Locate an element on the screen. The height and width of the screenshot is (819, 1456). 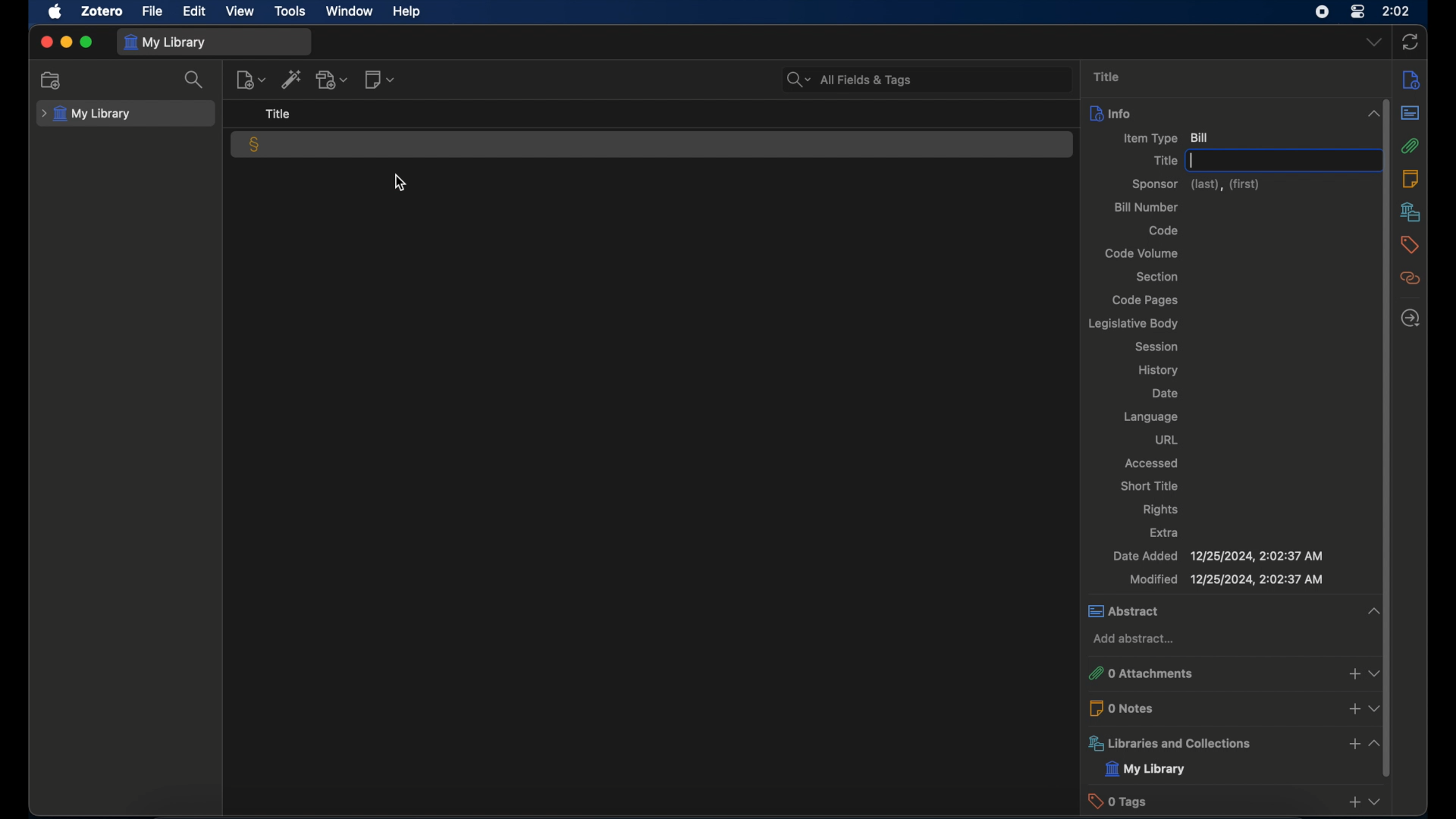
section is located at coordinates (1156, 278).